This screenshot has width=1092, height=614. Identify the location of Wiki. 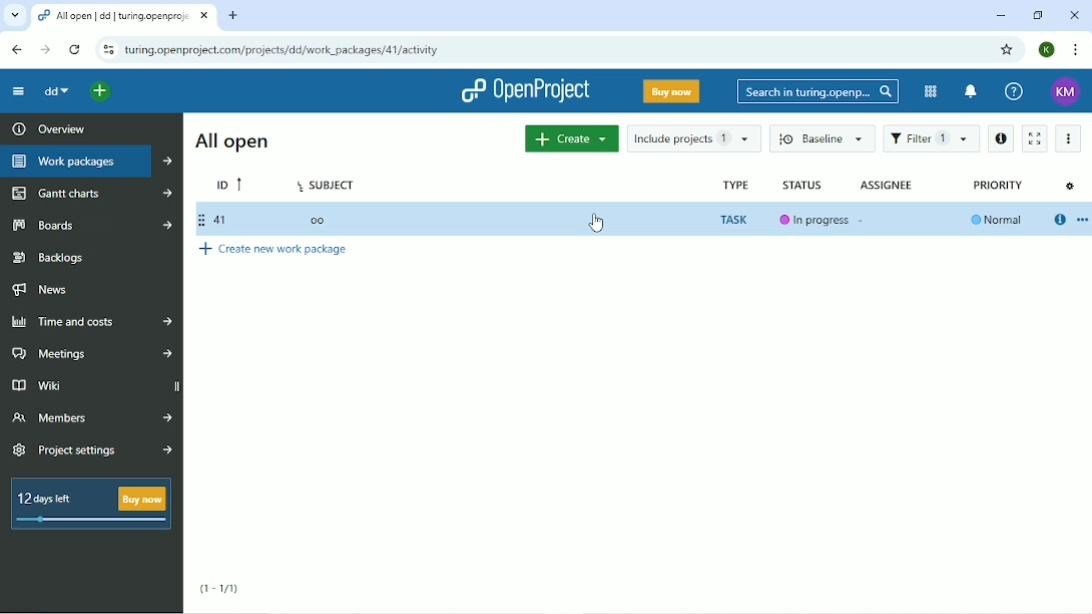
(93, 386).